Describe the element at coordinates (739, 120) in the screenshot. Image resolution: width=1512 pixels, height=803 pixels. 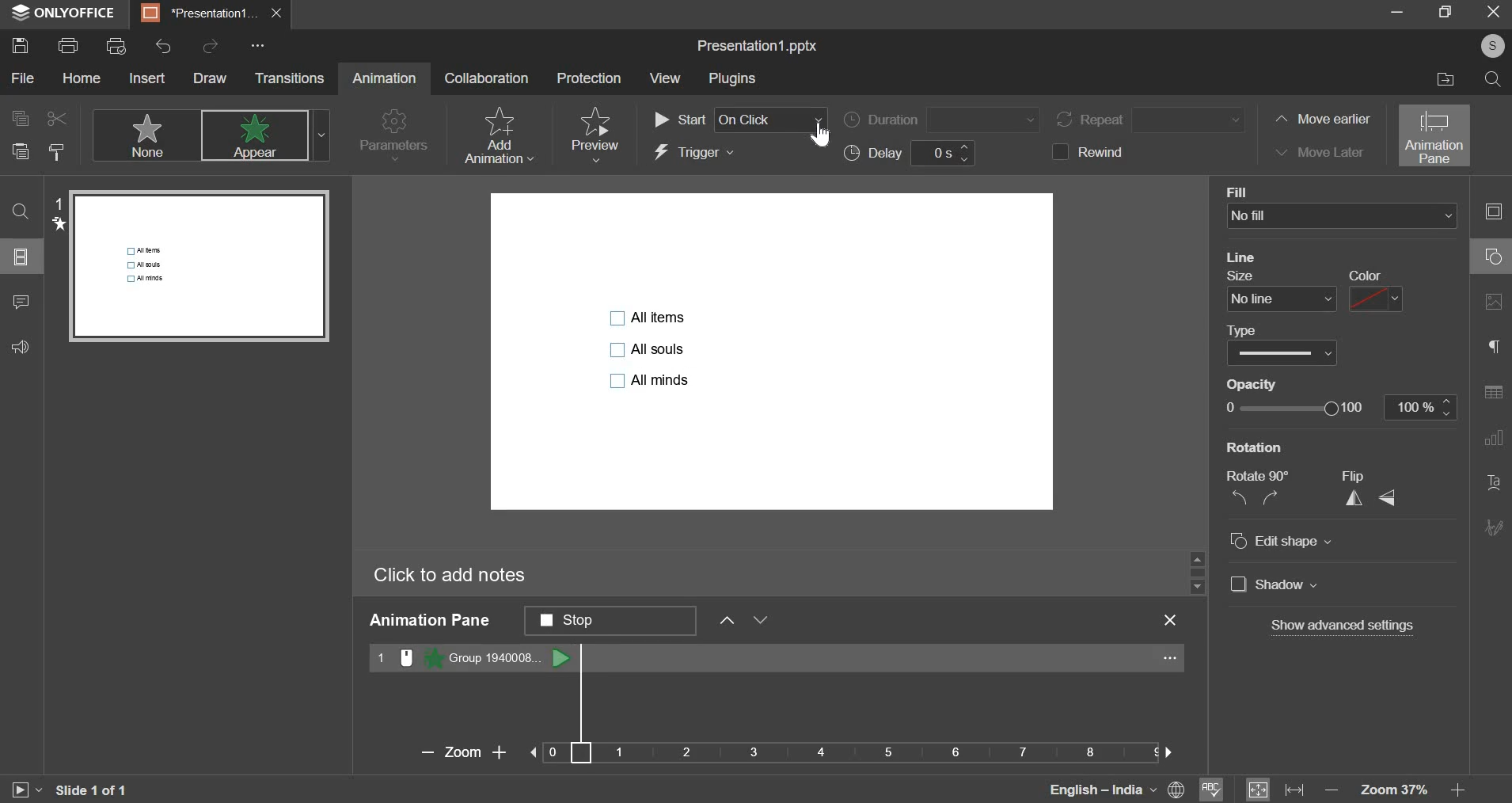
I see `start order` at that location.